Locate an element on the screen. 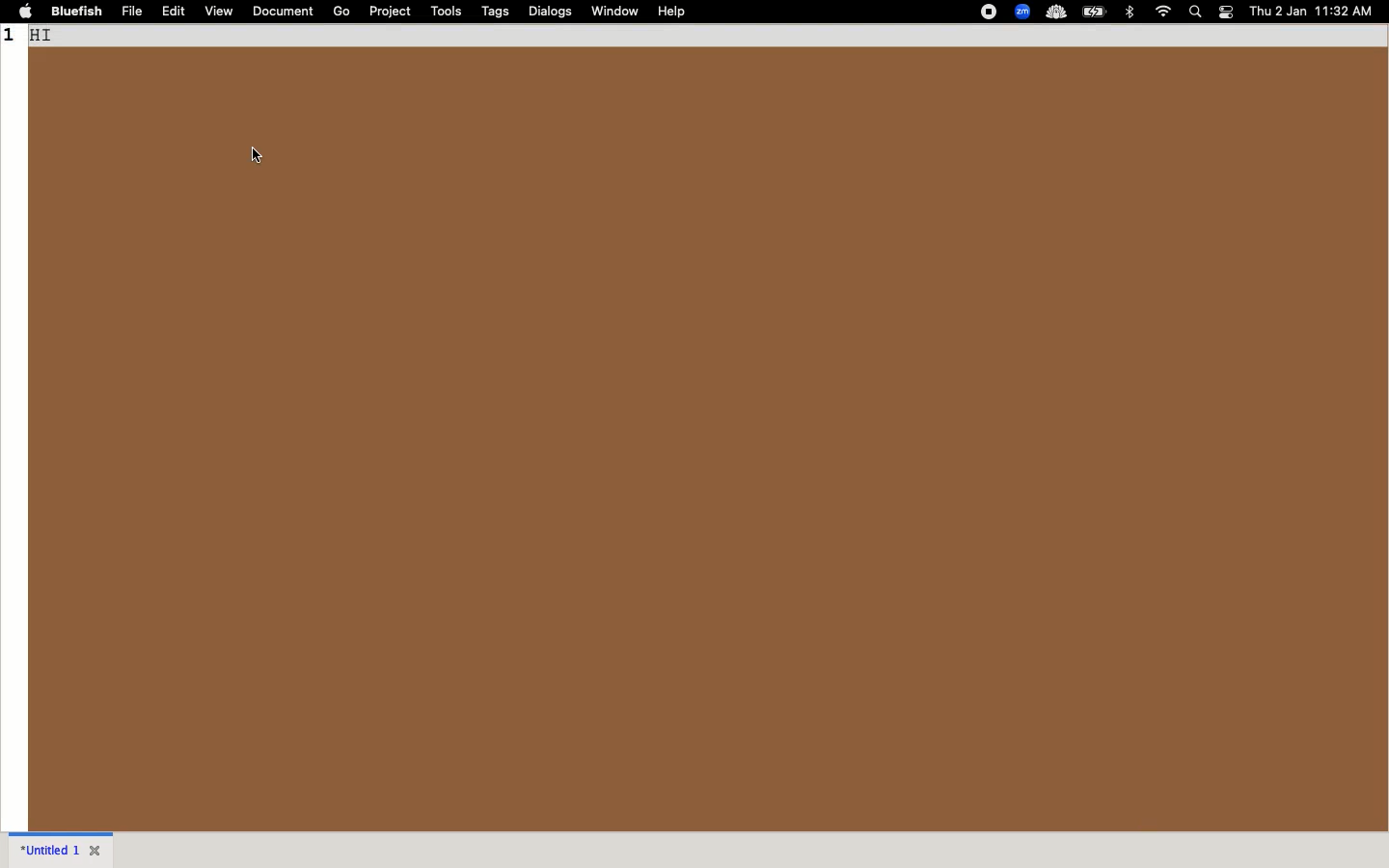 The image size is (1389, 868). Untitled 1 is located at coordinates (48, 848).